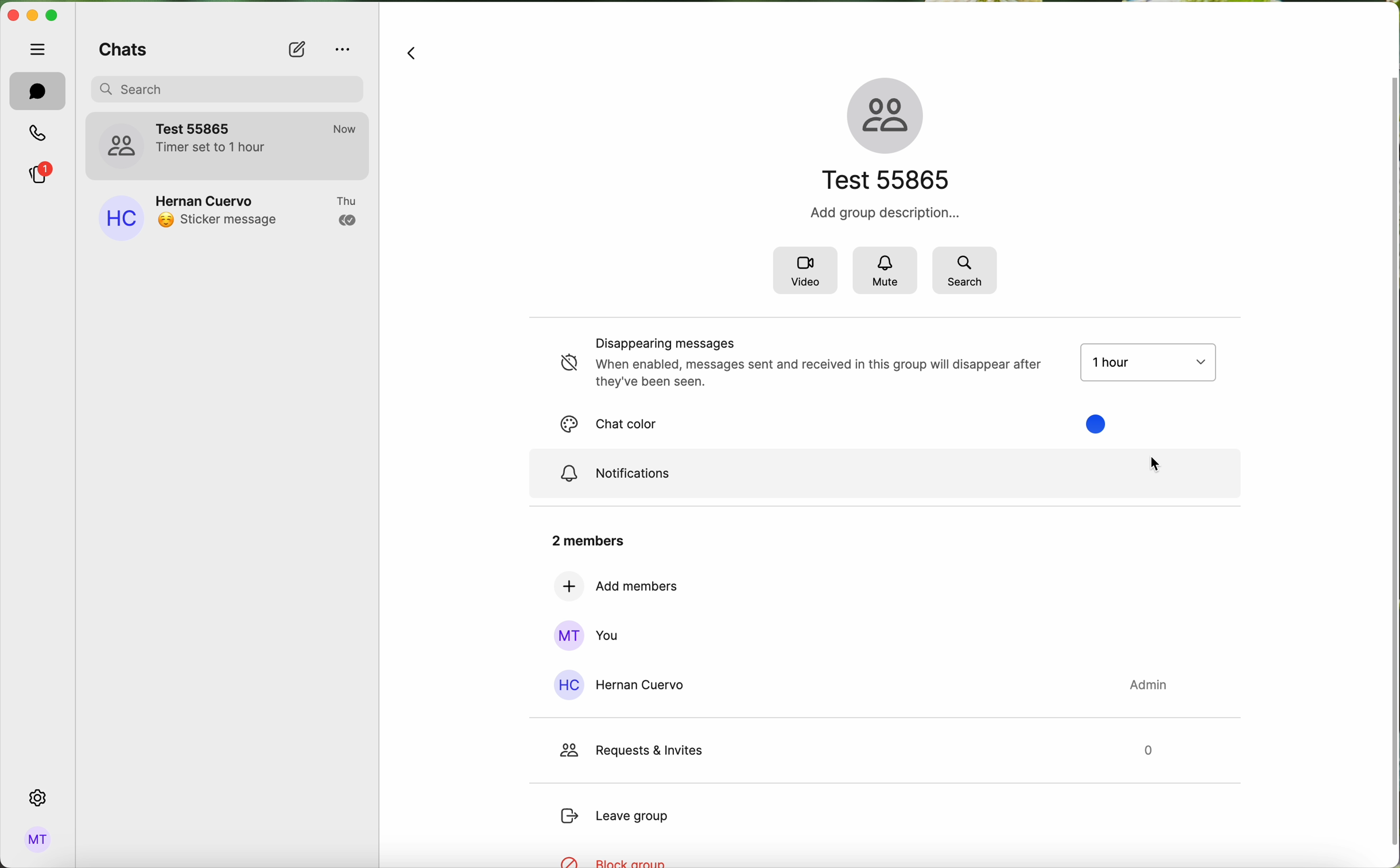 This screenshot has width=1400, height=868. What do you see at coordinates (1095, 424) in the screenshot?
I see `chat color options` at bounding box center [1095, 424].